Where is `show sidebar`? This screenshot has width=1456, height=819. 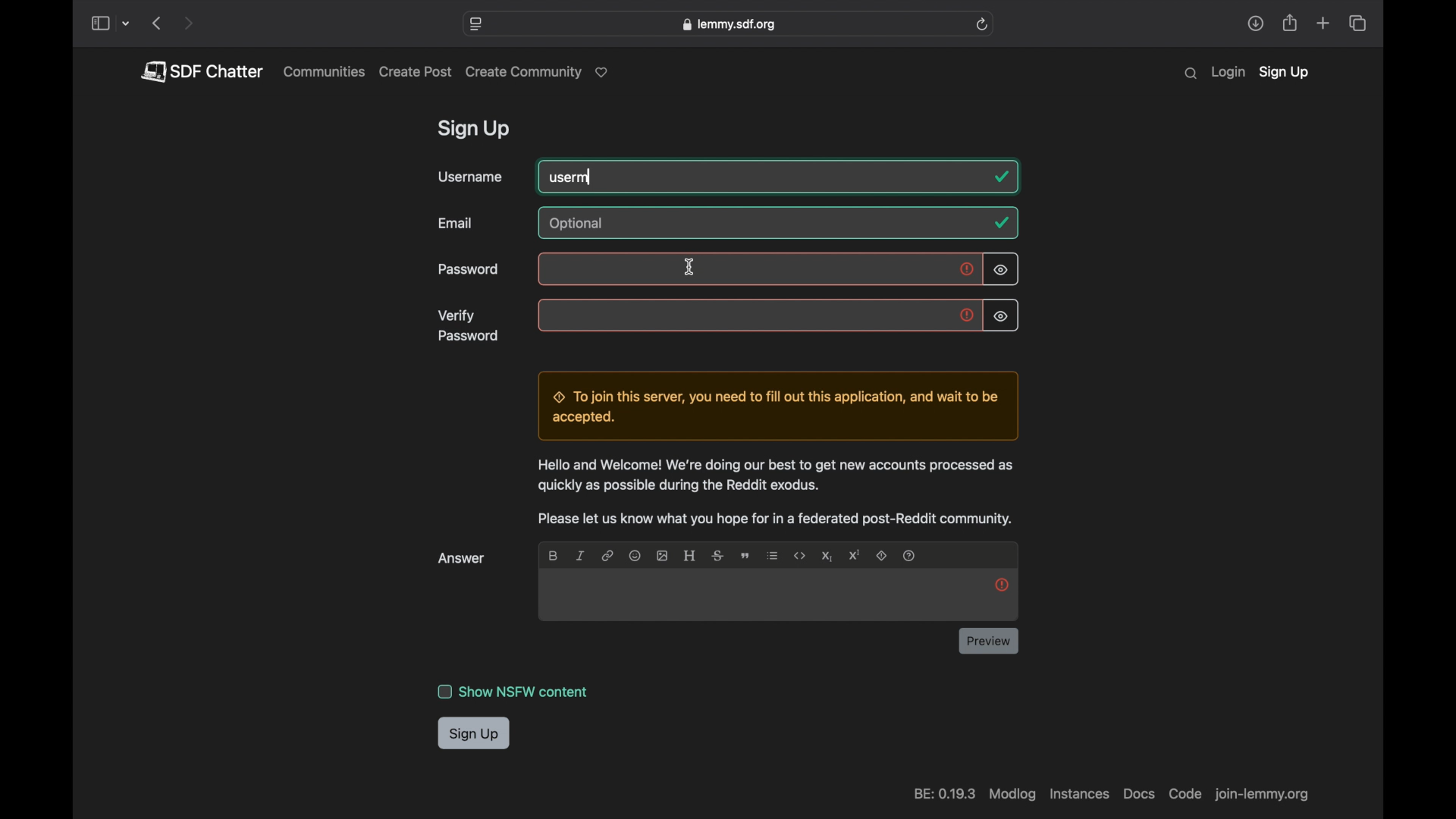 show sidebar is located at coordinates (99, 24).